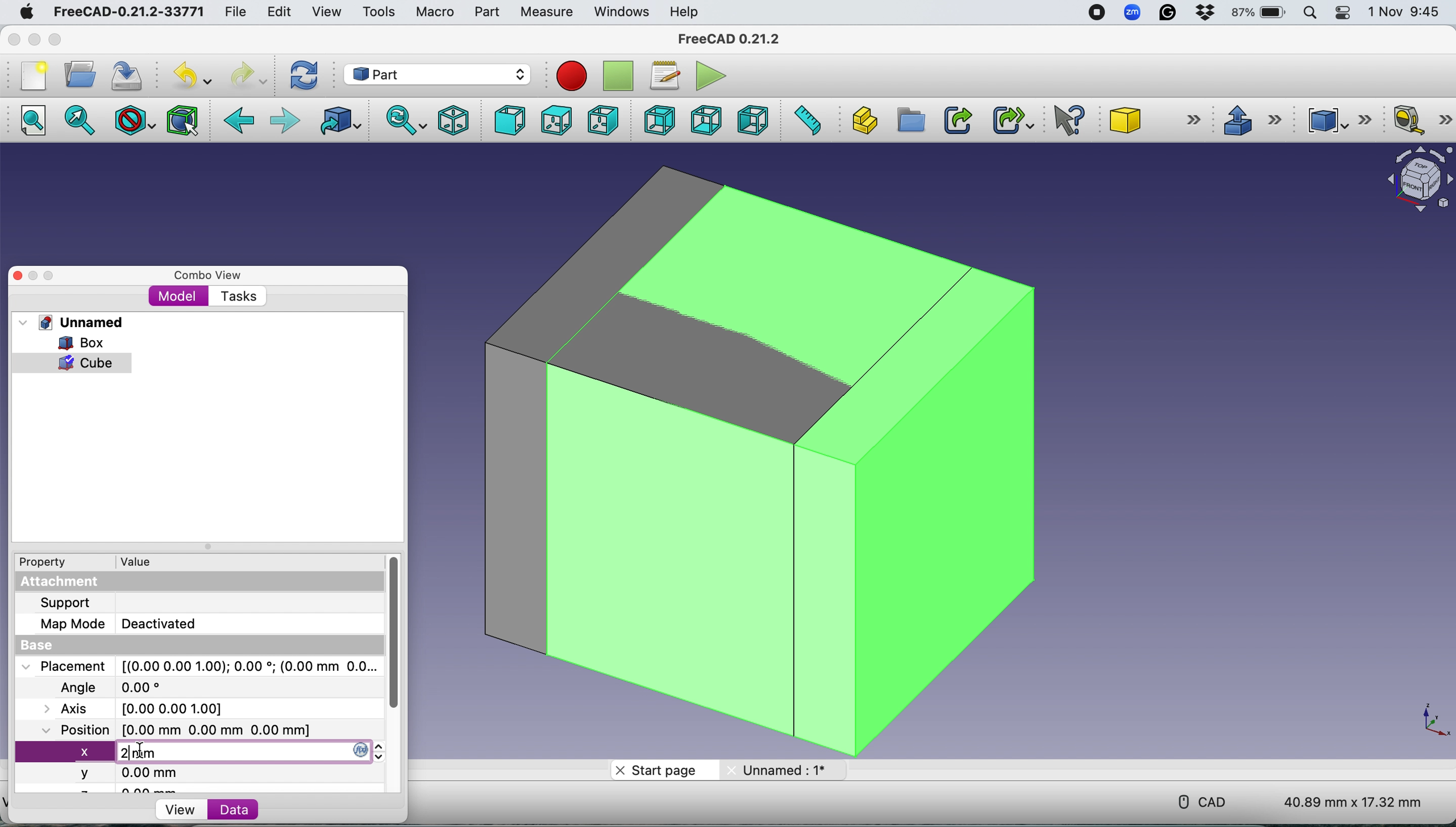 This screenshot has height=827, width=1456. Describe the element at coordinates (401, 632) in the screenshot. I see `vertical scroll bar` at that location.